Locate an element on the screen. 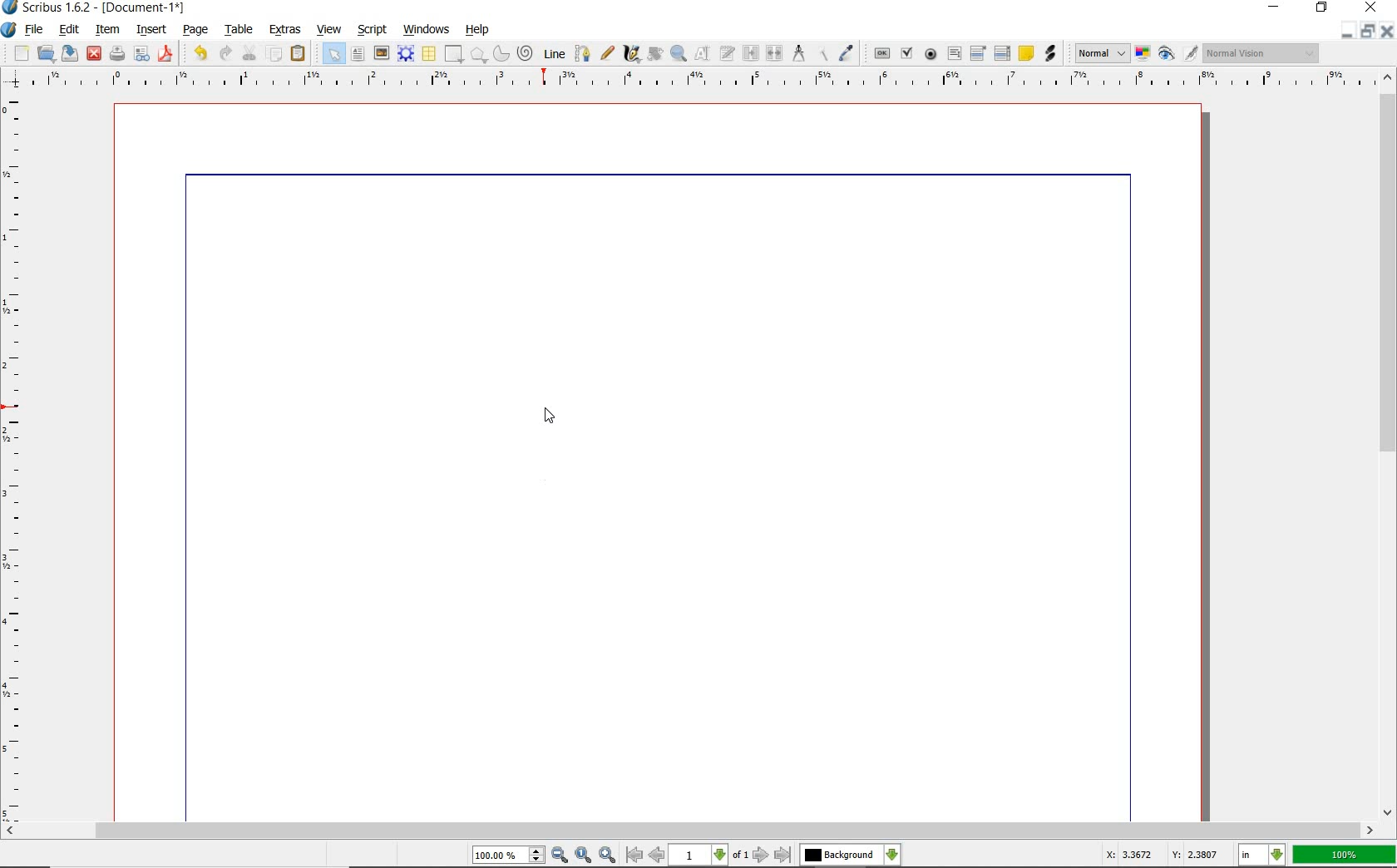 The height and width of the screenshot is (868, 1397). table is located at coordinates (430, 55).